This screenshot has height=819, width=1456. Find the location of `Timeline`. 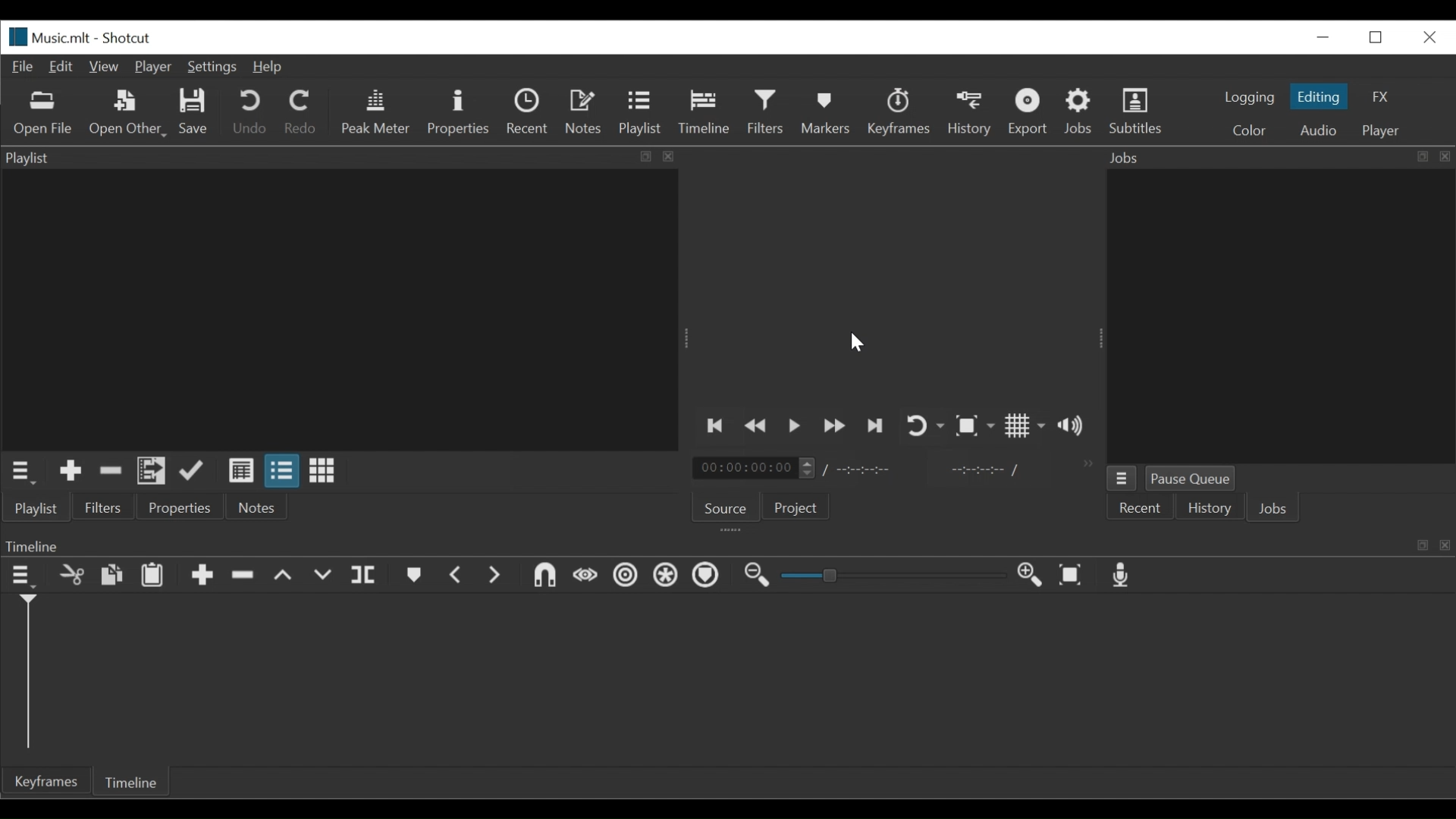

Timeline is located at coordinates (134, 782).